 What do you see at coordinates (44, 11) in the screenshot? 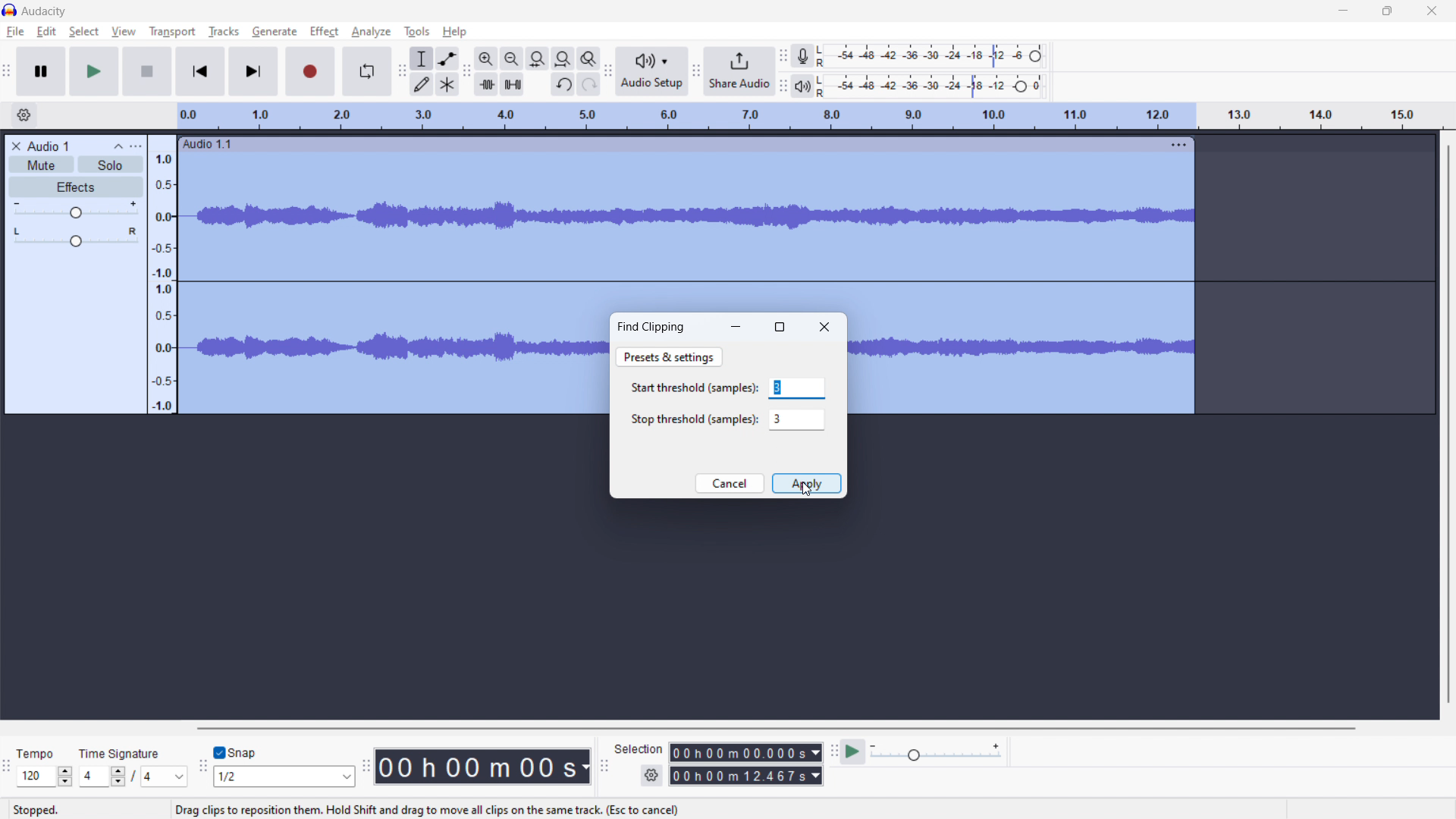
I see `logo` at bounding box center [44, 11].